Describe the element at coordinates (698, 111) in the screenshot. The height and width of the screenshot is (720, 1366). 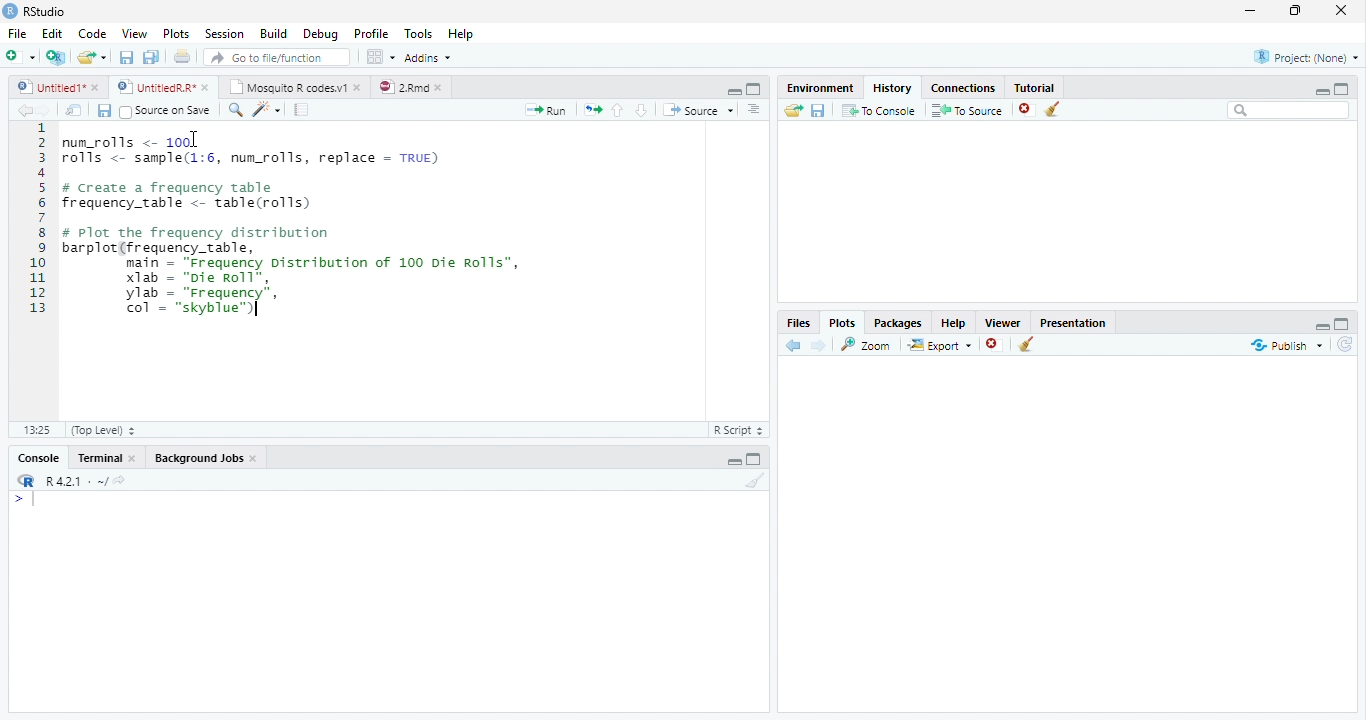
I see `Source` at that location.